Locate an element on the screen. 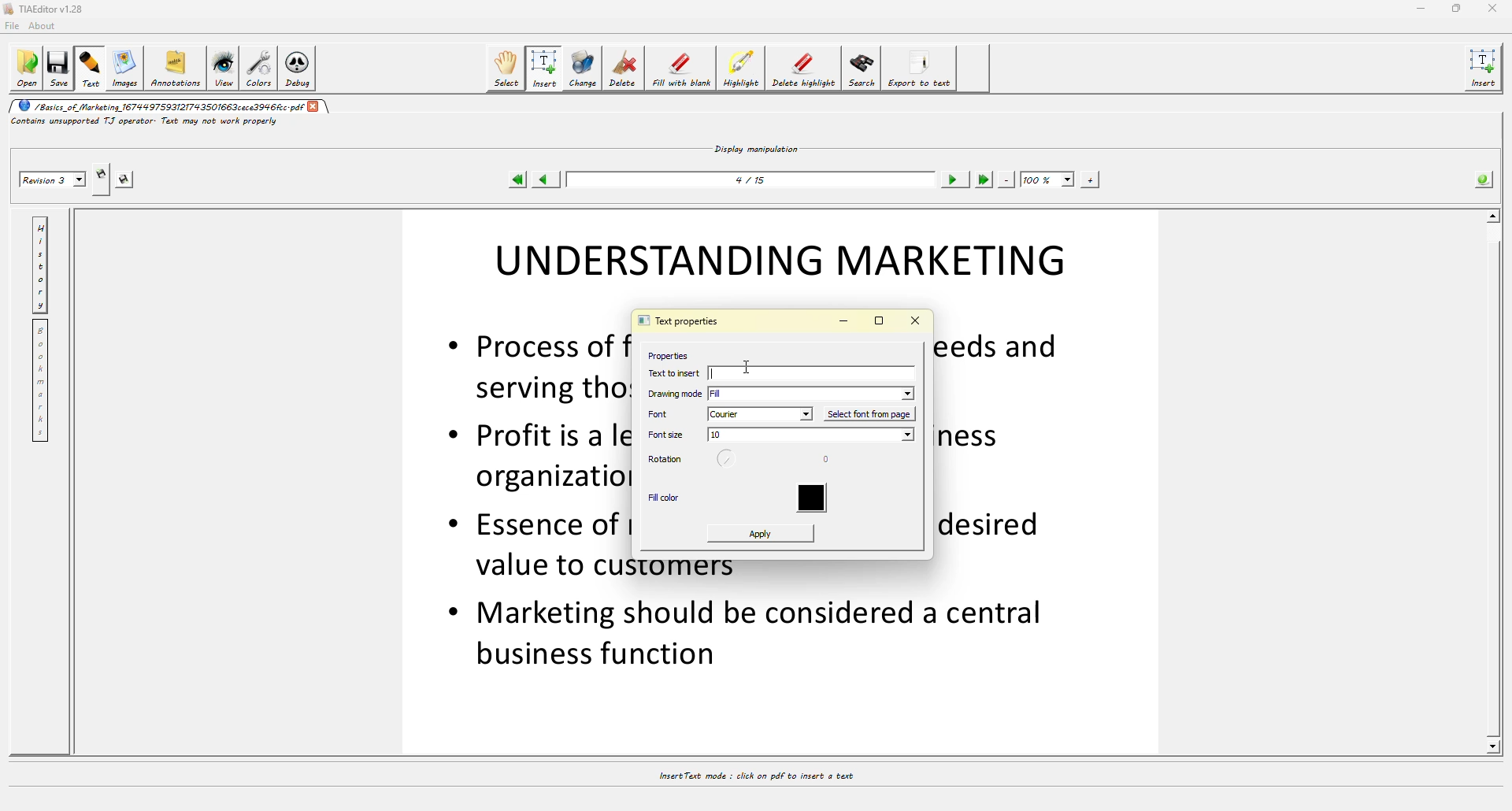 This screenshot has height=811, width=1512. close is located at coordinates (917, 320).